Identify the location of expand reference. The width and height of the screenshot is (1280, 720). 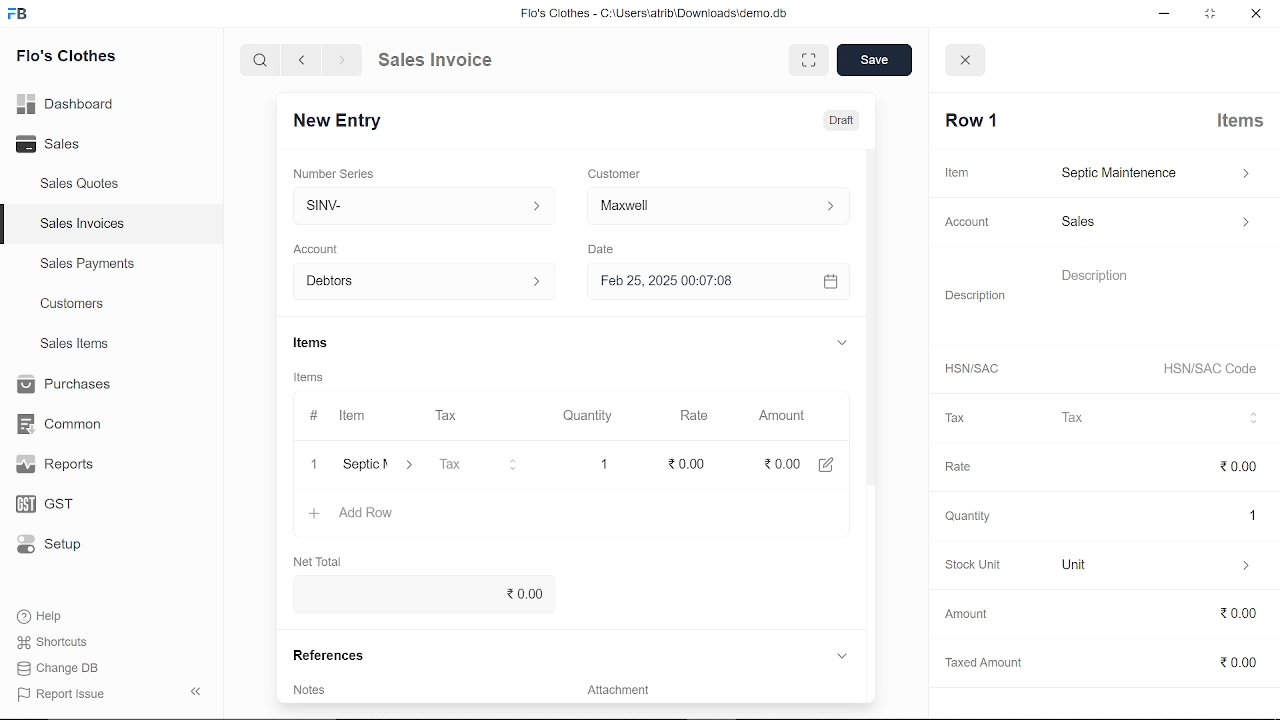
(841, 656).